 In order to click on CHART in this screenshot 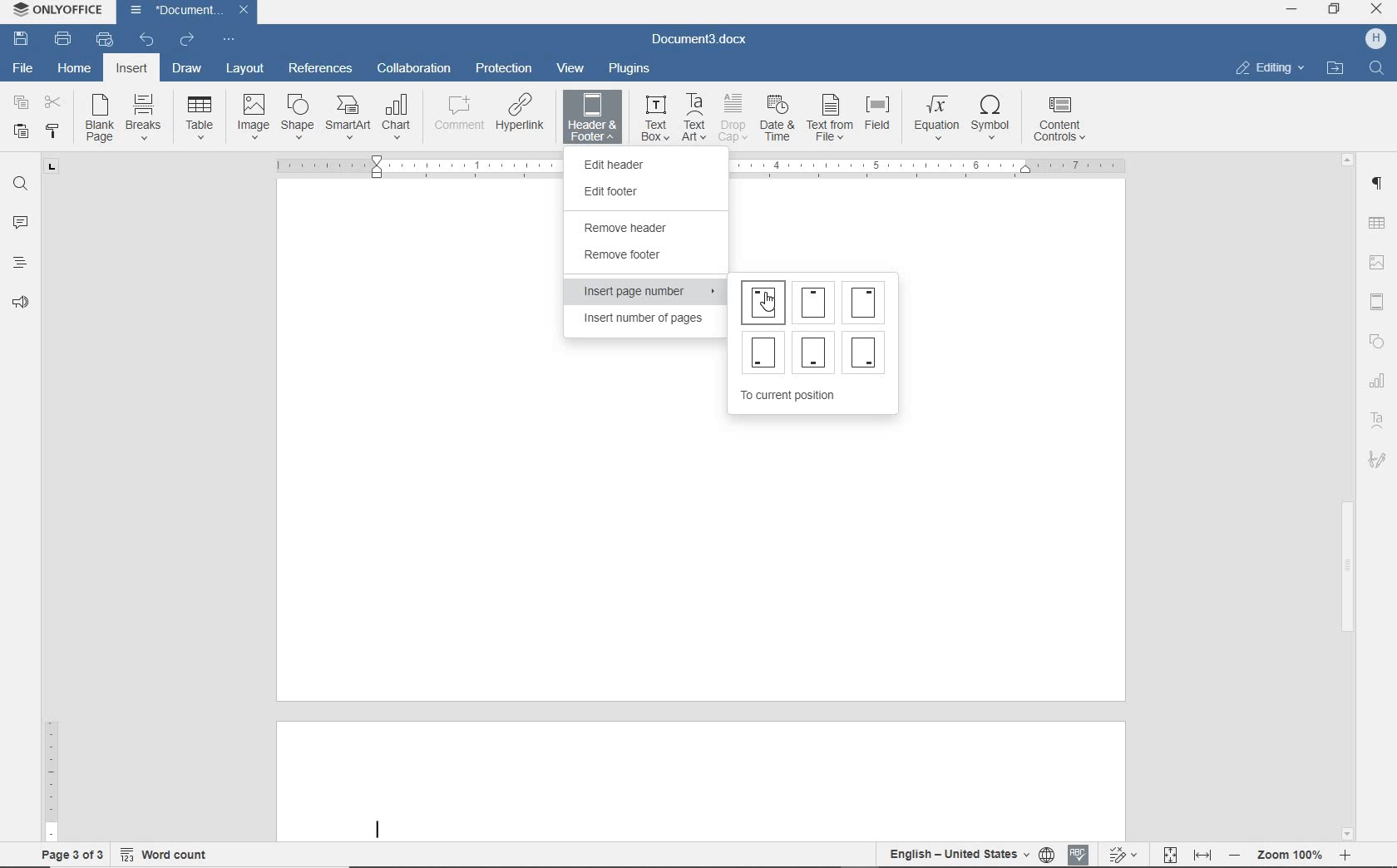, I will do `click(398, 117)`.